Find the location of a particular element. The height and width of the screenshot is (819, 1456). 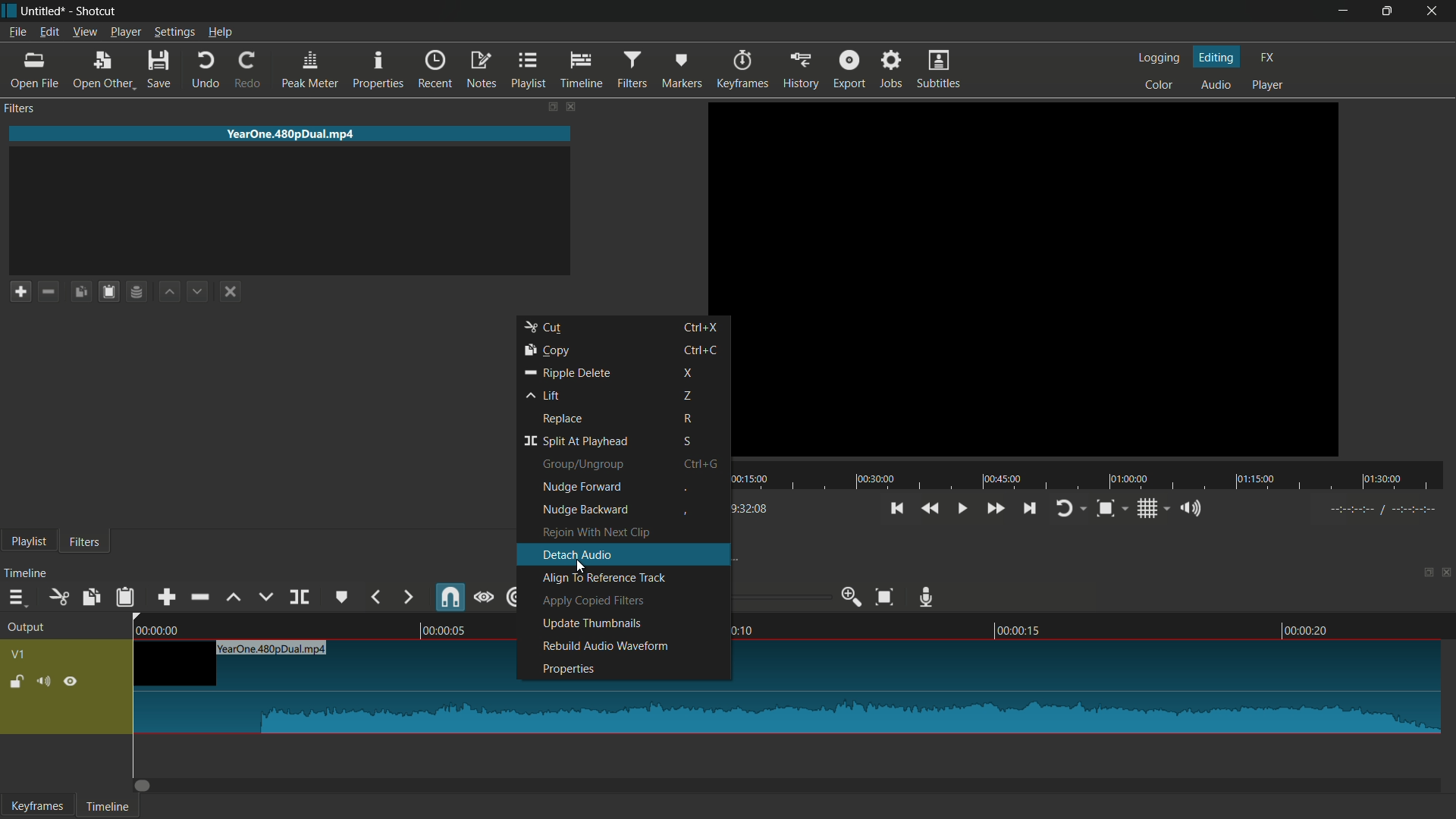

close timeline is located at coordinates (1447, 575).